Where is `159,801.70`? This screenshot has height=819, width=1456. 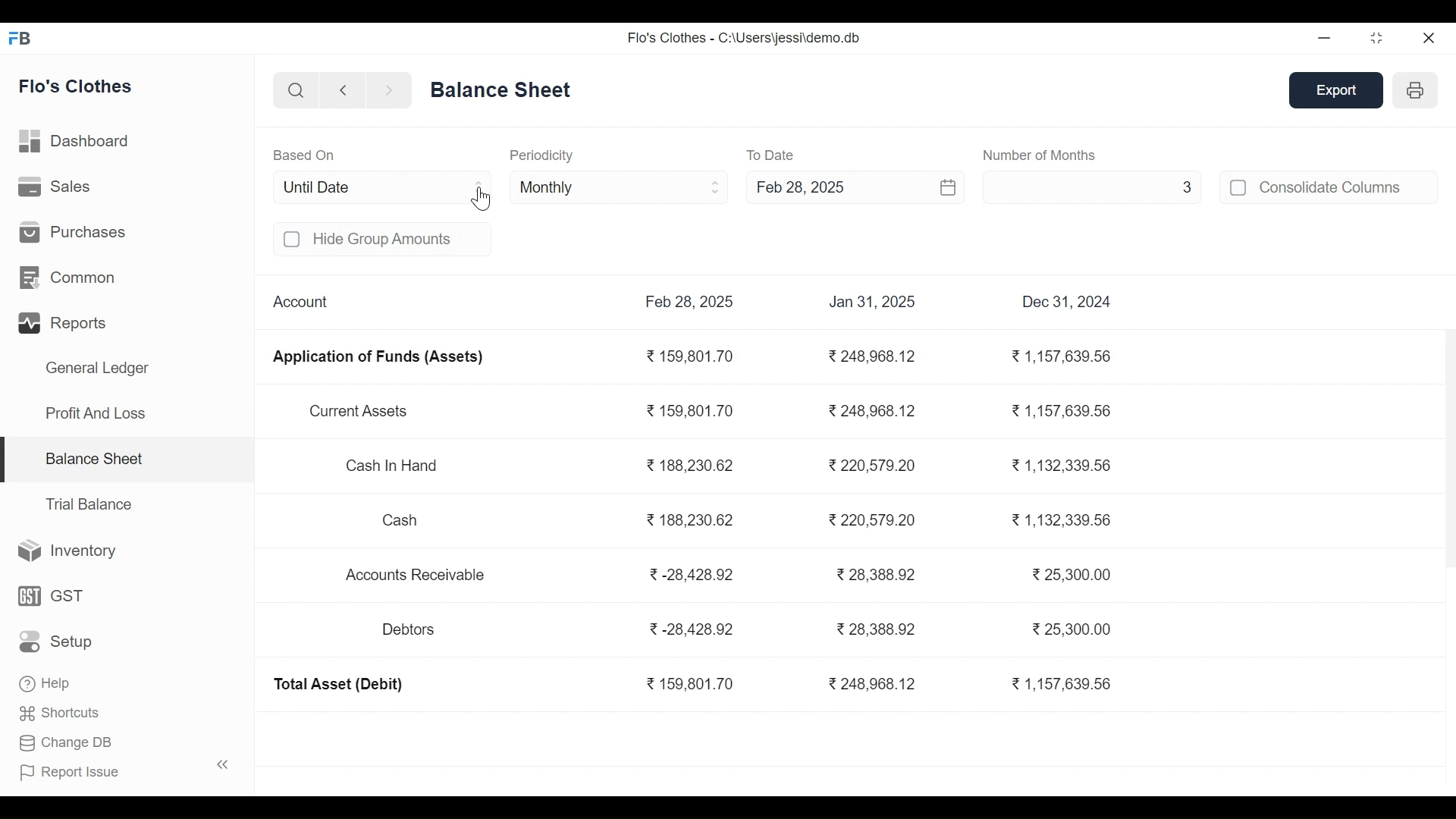
159,801.70 is located at coordinates (690, 357).